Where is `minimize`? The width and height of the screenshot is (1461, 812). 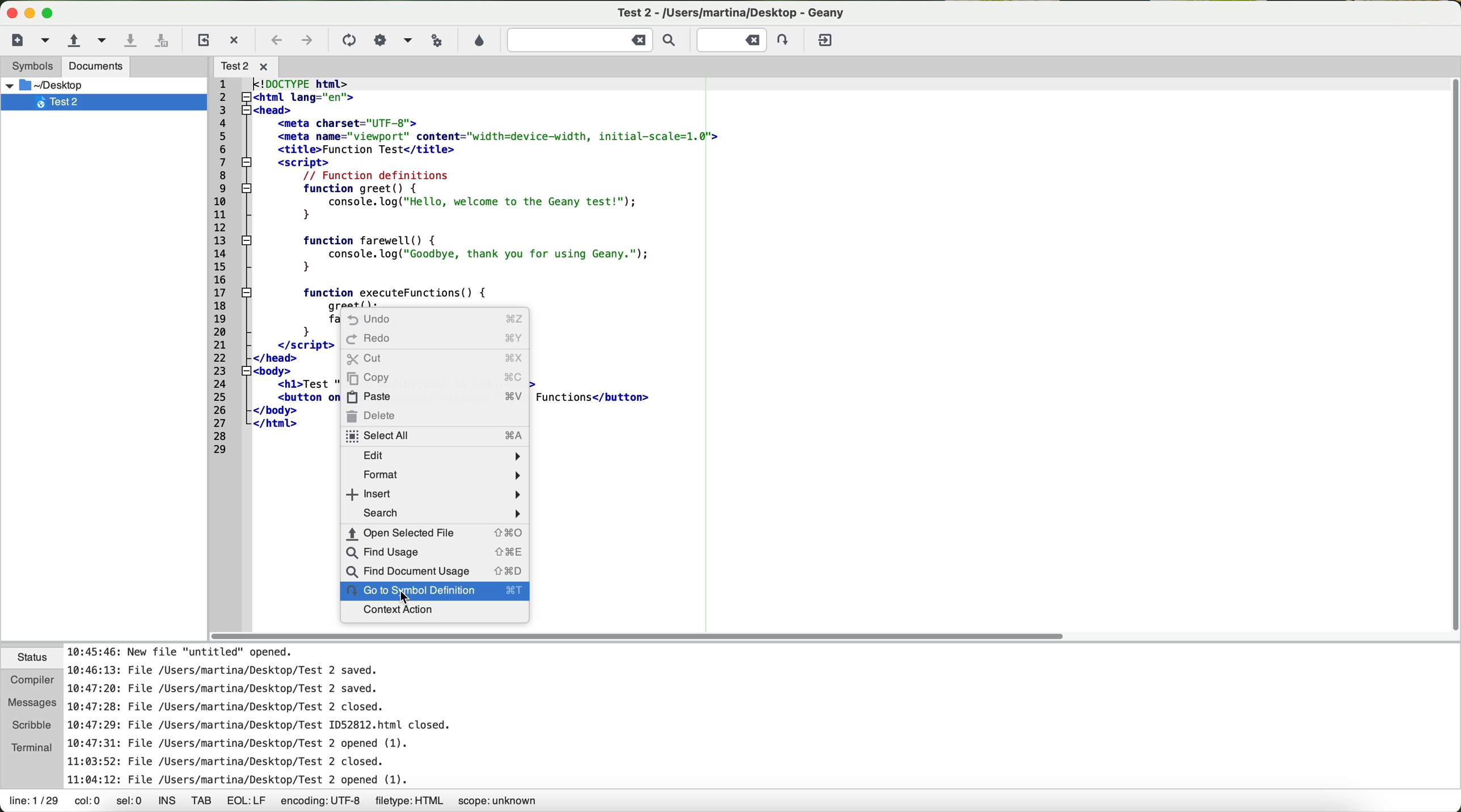
minimize is located at coordinates (30, 13).